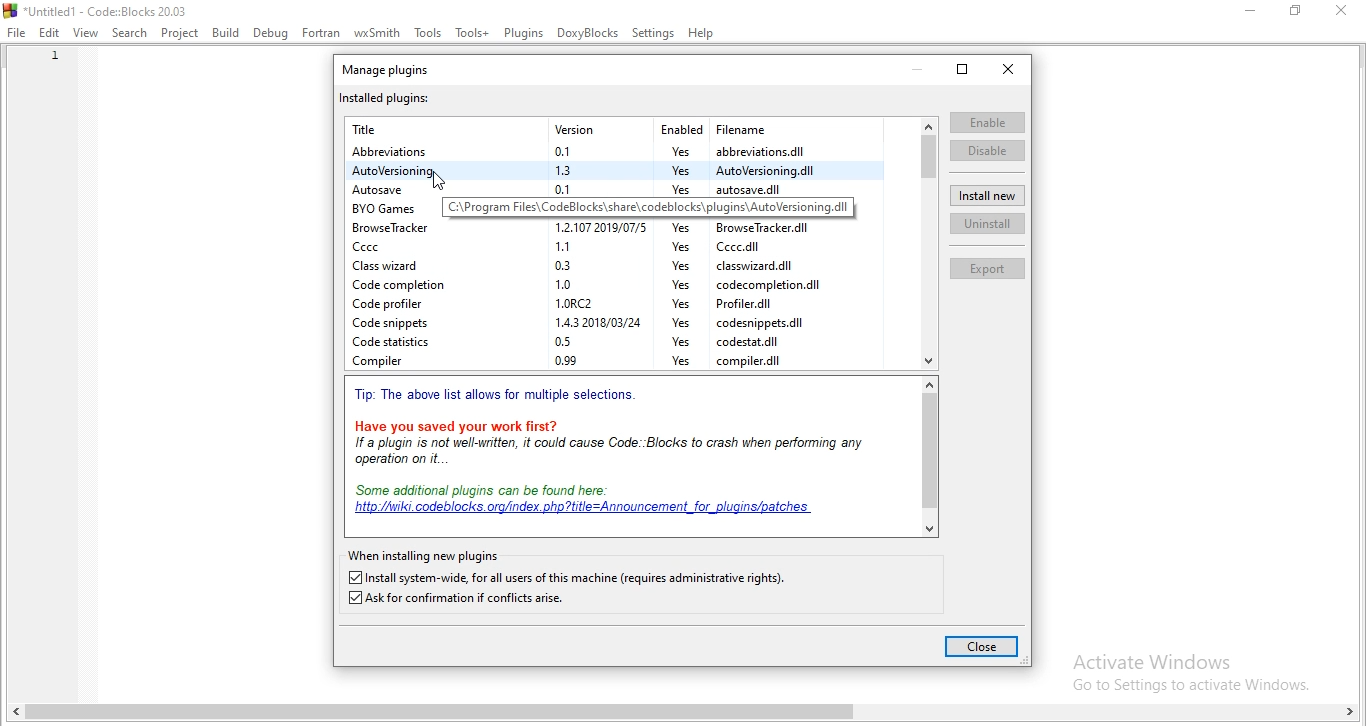 Image resolution: width=1366 pixels, height=726 pixels. Describe the element at coordinates (589, 575) in the screenshot. I see `| Install system-wide, for all users of this machine (requires administrative rights).` at that location.